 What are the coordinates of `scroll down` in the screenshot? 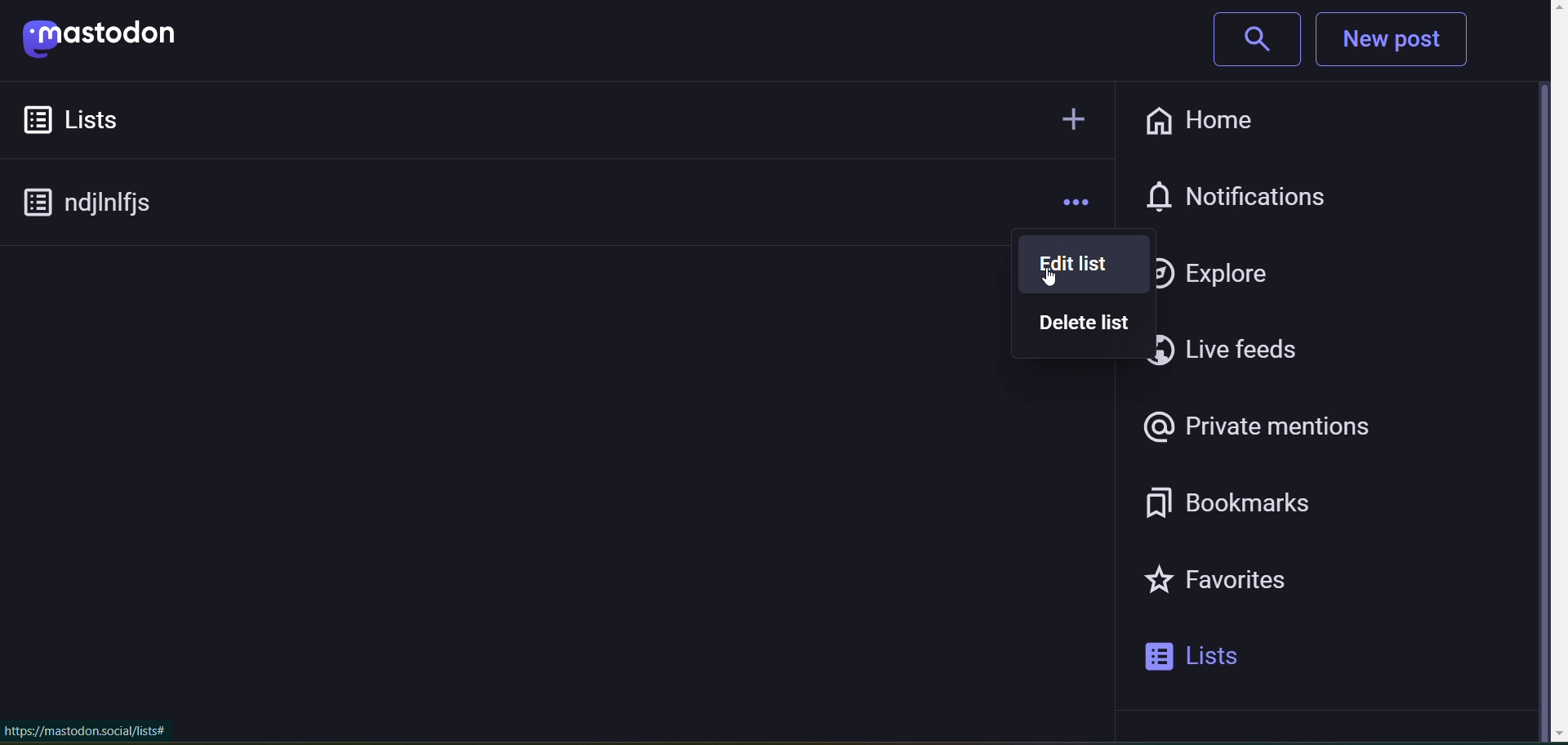 It's located at (1540, 734).